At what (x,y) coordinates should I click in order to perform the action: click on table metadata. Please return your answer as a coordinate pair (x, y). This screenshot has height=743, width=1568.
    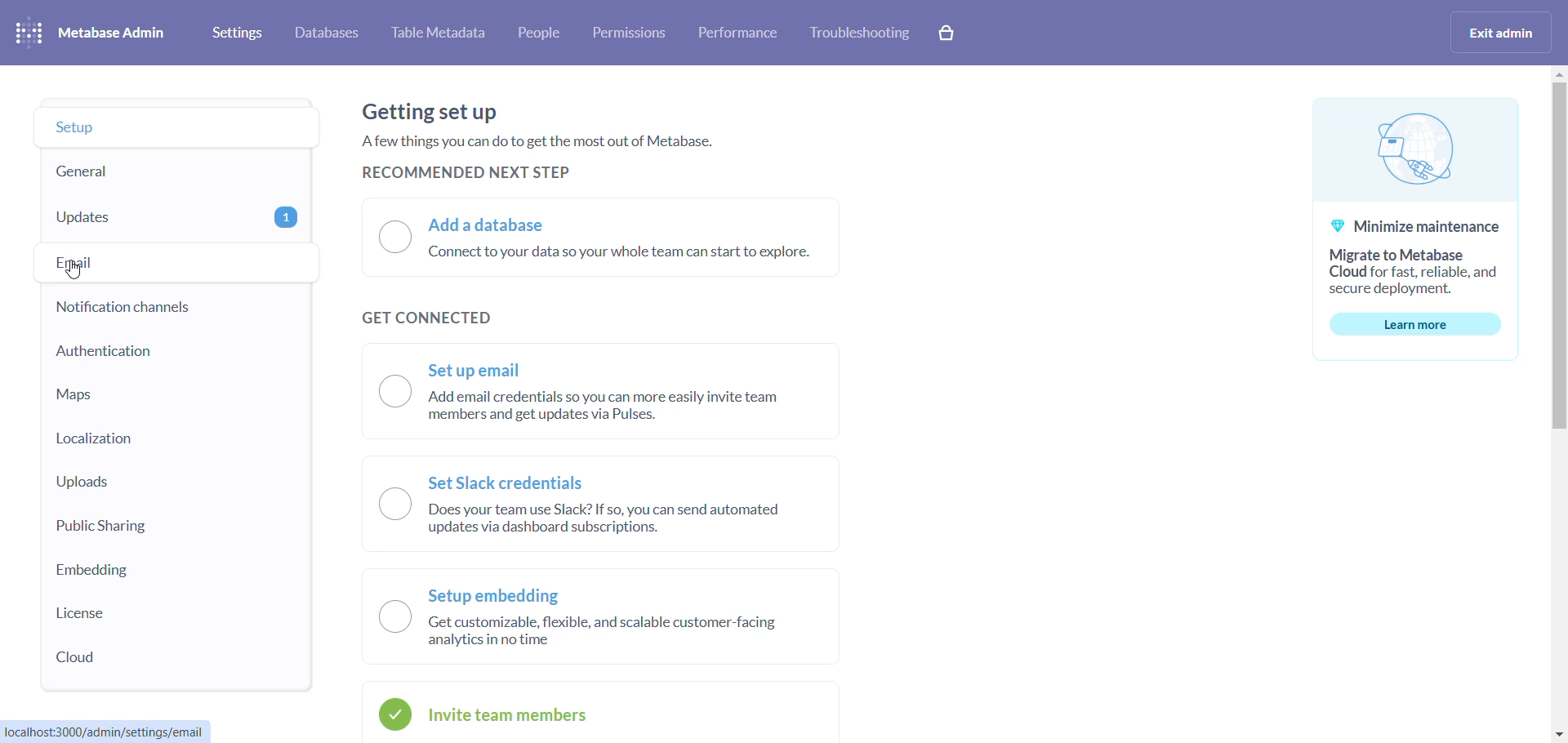
    Looking at the image, I should click on (443, 32).